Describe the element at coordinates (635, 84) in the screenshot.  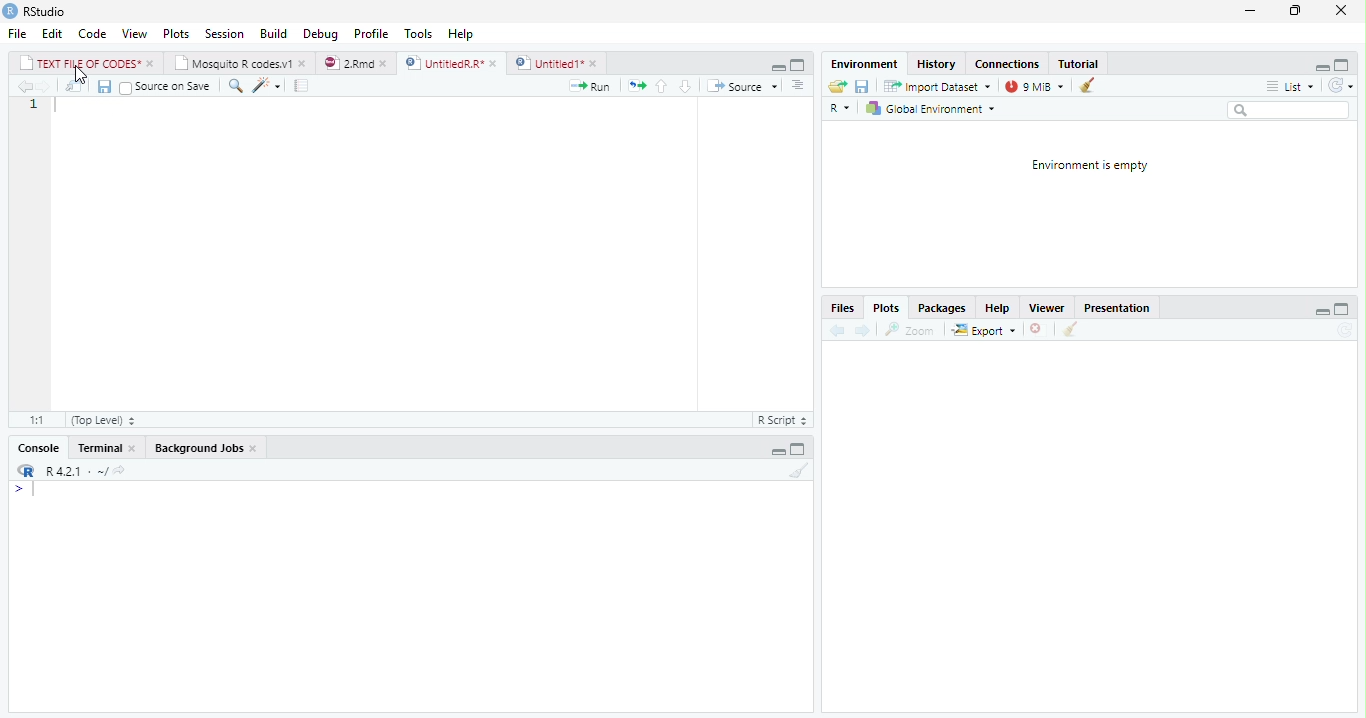
I see `re run the previous code` at that location.